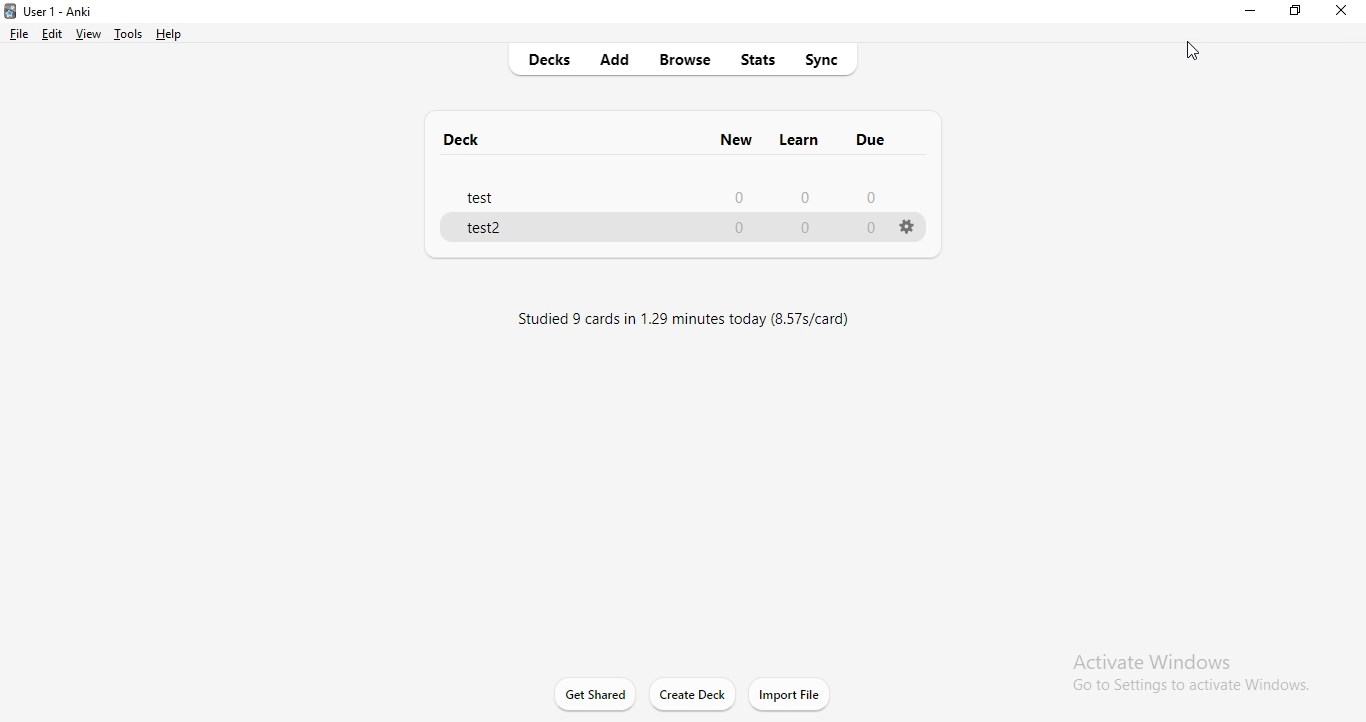 The width and height of the screenshot is (1366, 722). I want to click on decks, so click(547, 61).